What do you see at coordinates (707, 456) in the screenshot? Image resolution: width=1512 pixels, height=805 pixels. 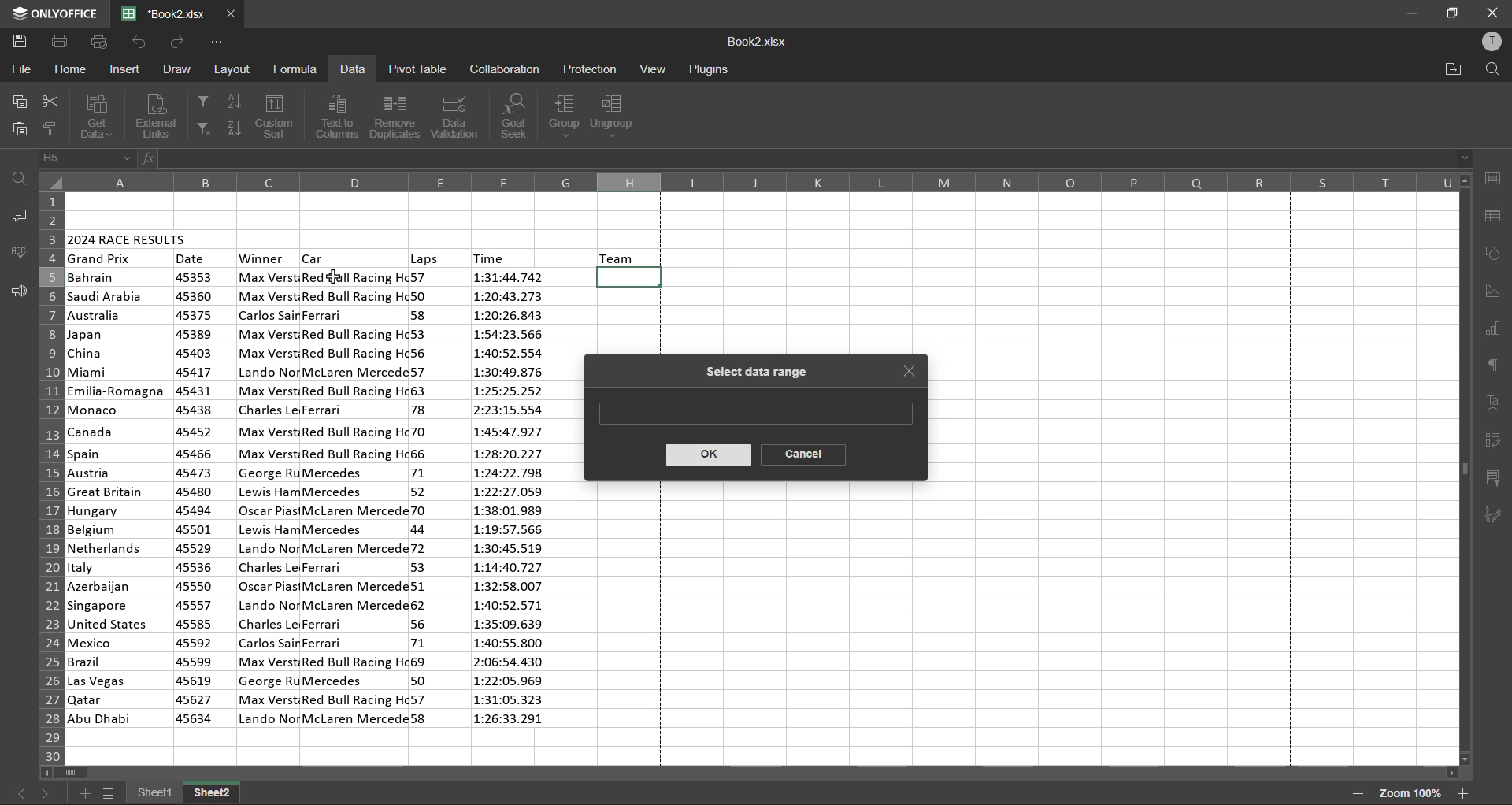 I see `ok` at bounding box center [707, 456].